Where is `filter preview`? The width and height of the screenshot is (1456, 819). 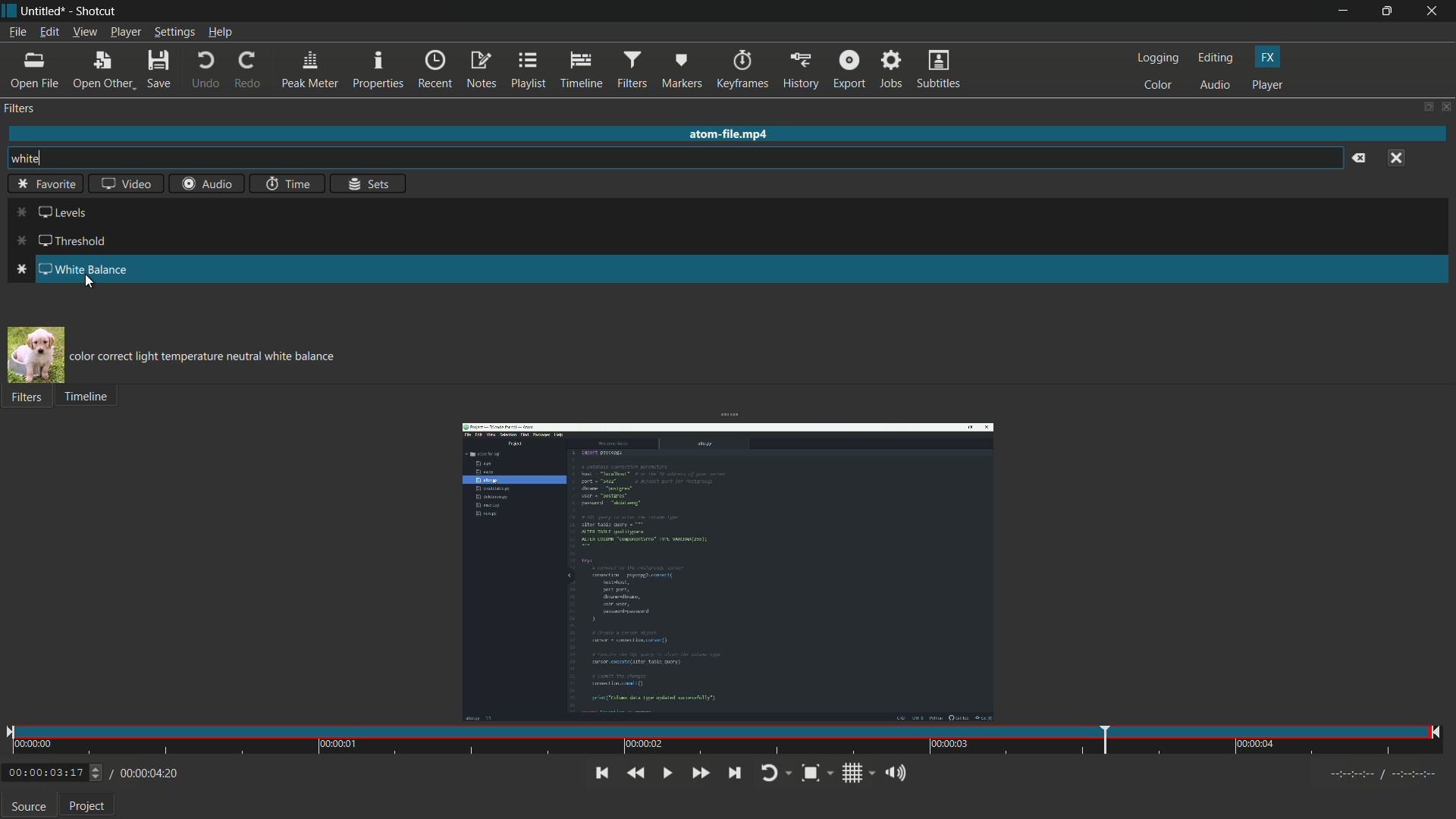 filter preview is located at coordinates (35, 354).